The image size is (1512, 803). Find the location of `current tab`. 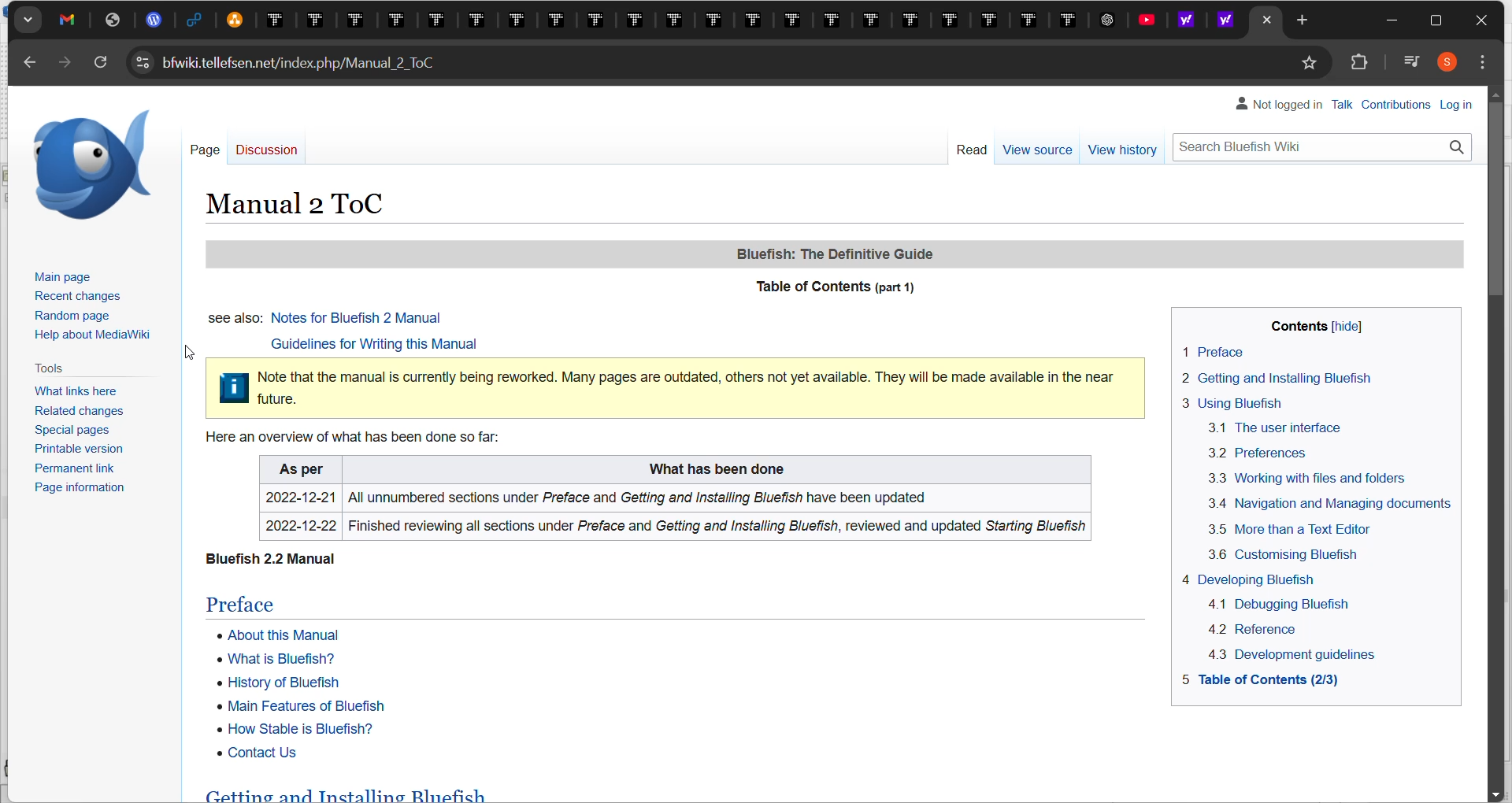

current tab is located at coordinates (1266, 20).